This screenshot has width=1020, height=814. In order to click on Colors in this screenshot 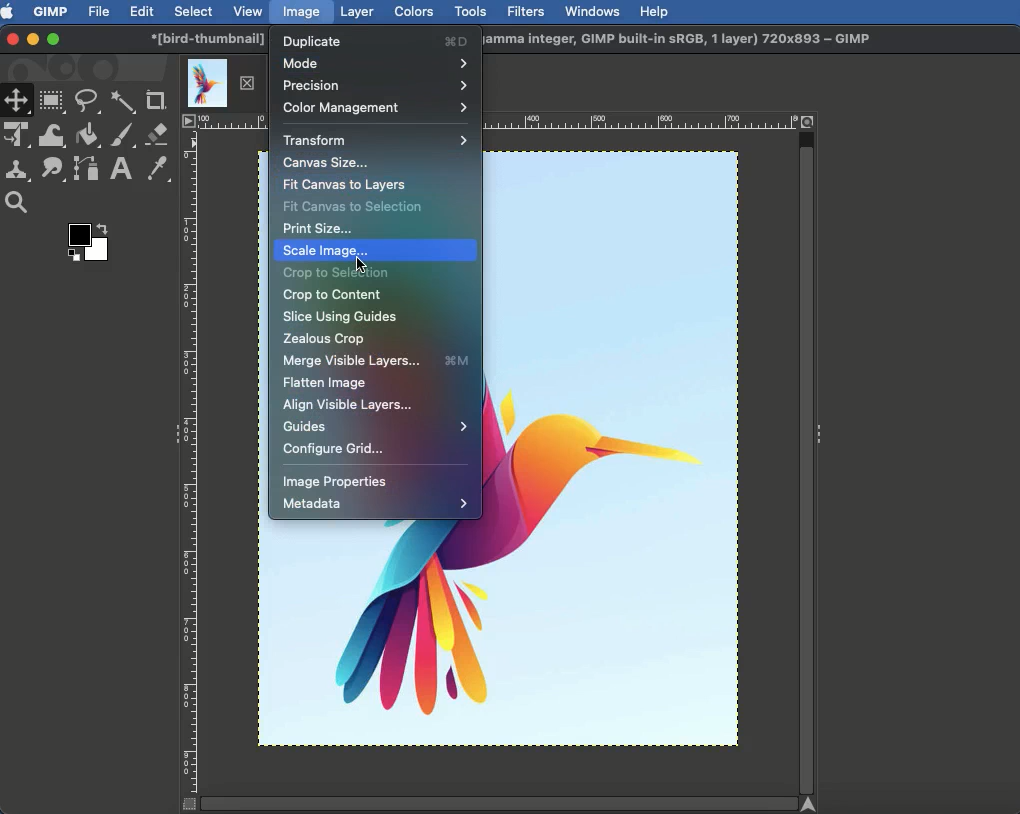, I will do `click(413, 12)`.